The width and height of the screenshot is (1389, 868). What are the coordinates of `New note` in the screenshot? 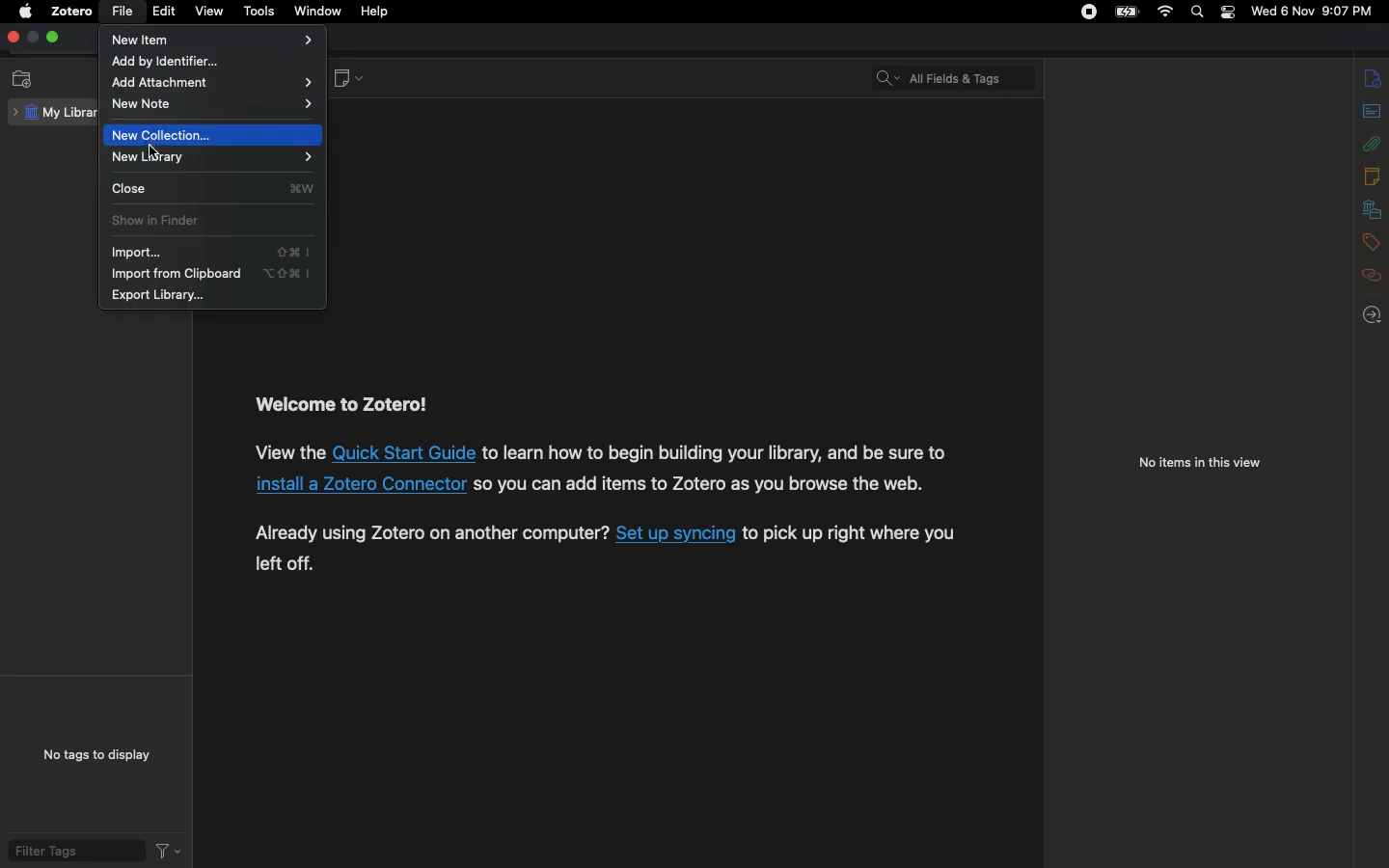 It's located at (346, 80).